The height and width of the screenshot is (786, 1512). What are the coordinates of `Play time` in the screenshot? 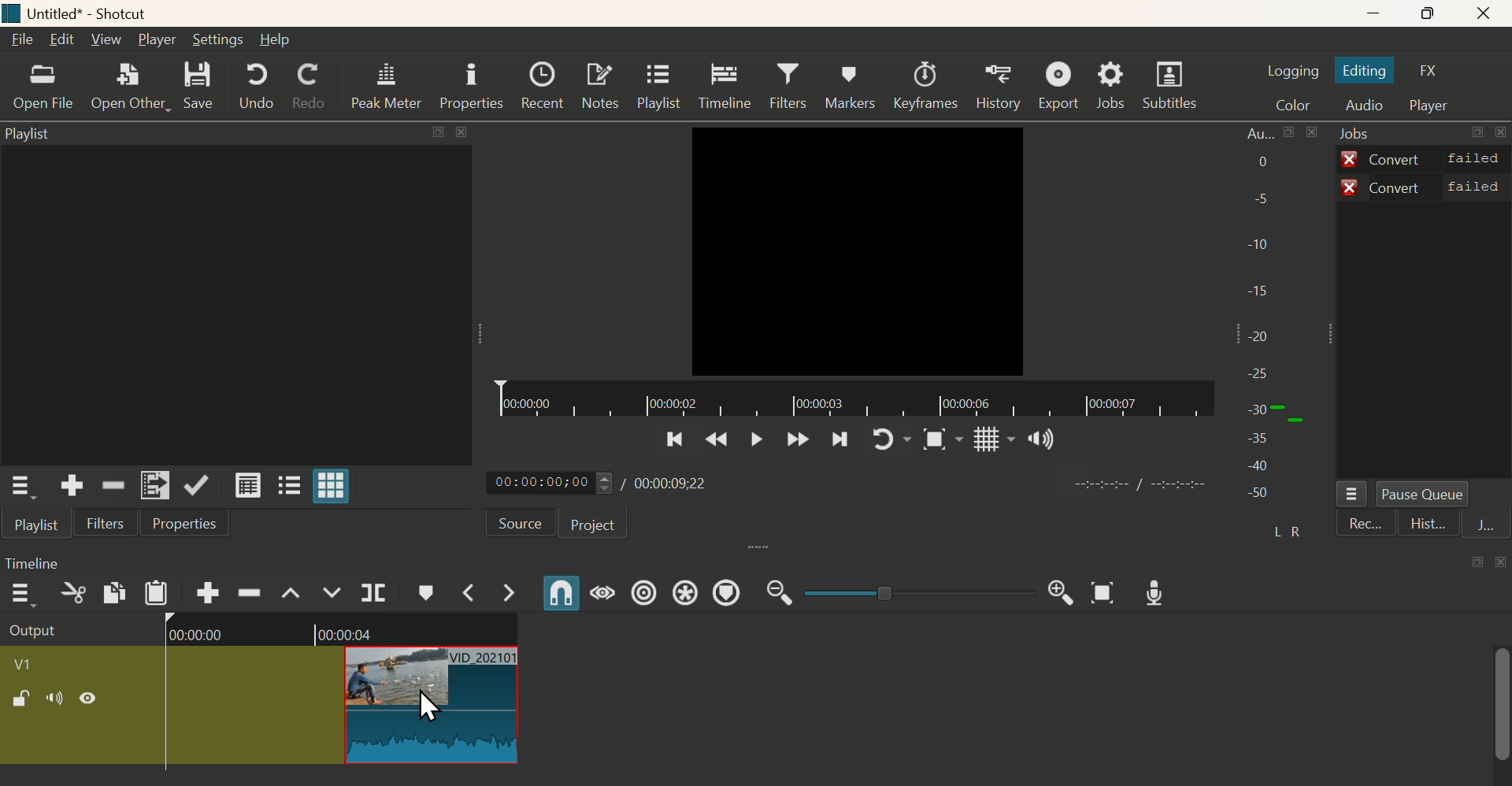 It's located at (607, 484).